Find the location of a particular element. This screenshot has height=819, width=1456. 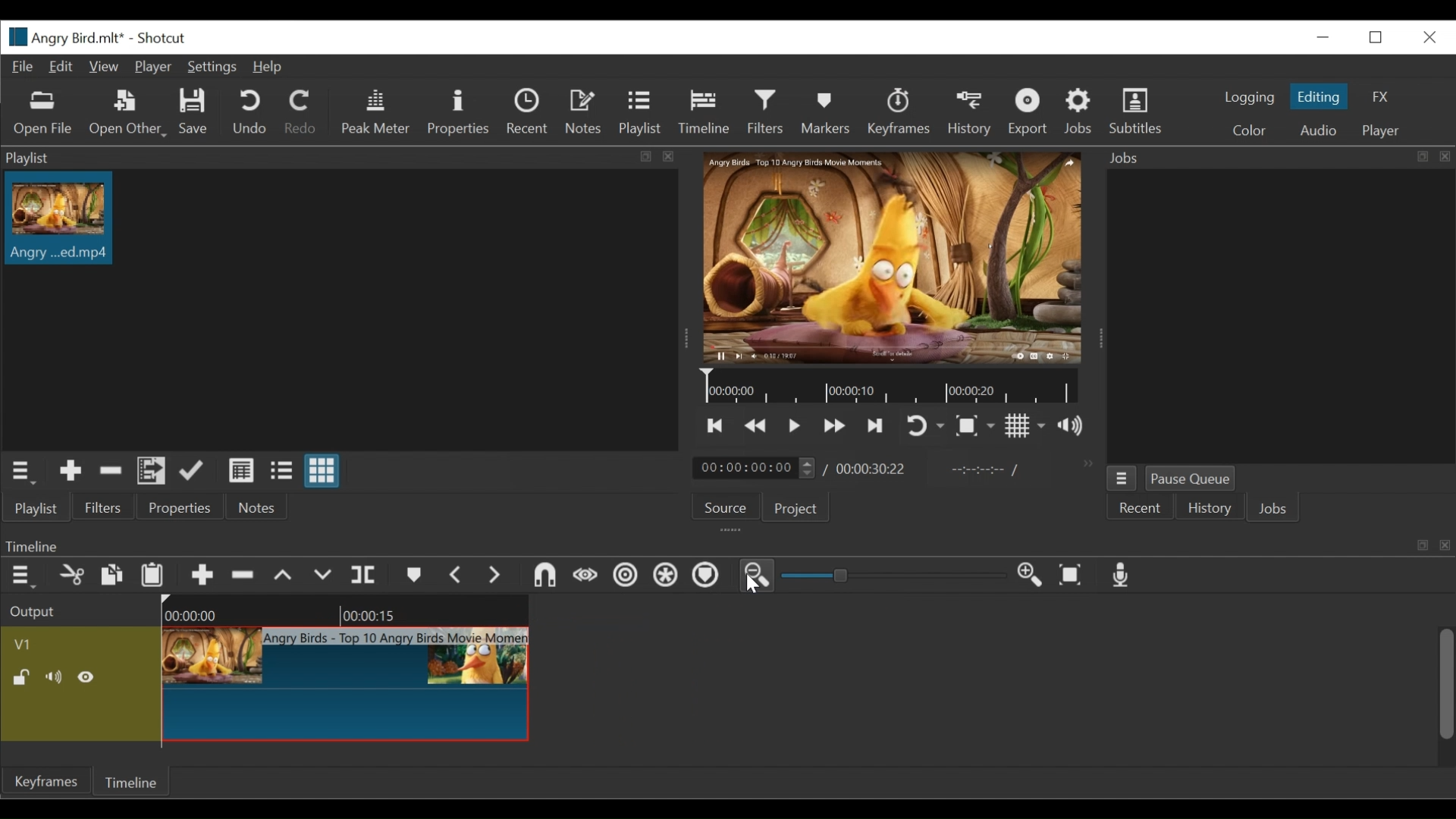

Editing is located at coordinates (1321, 96).